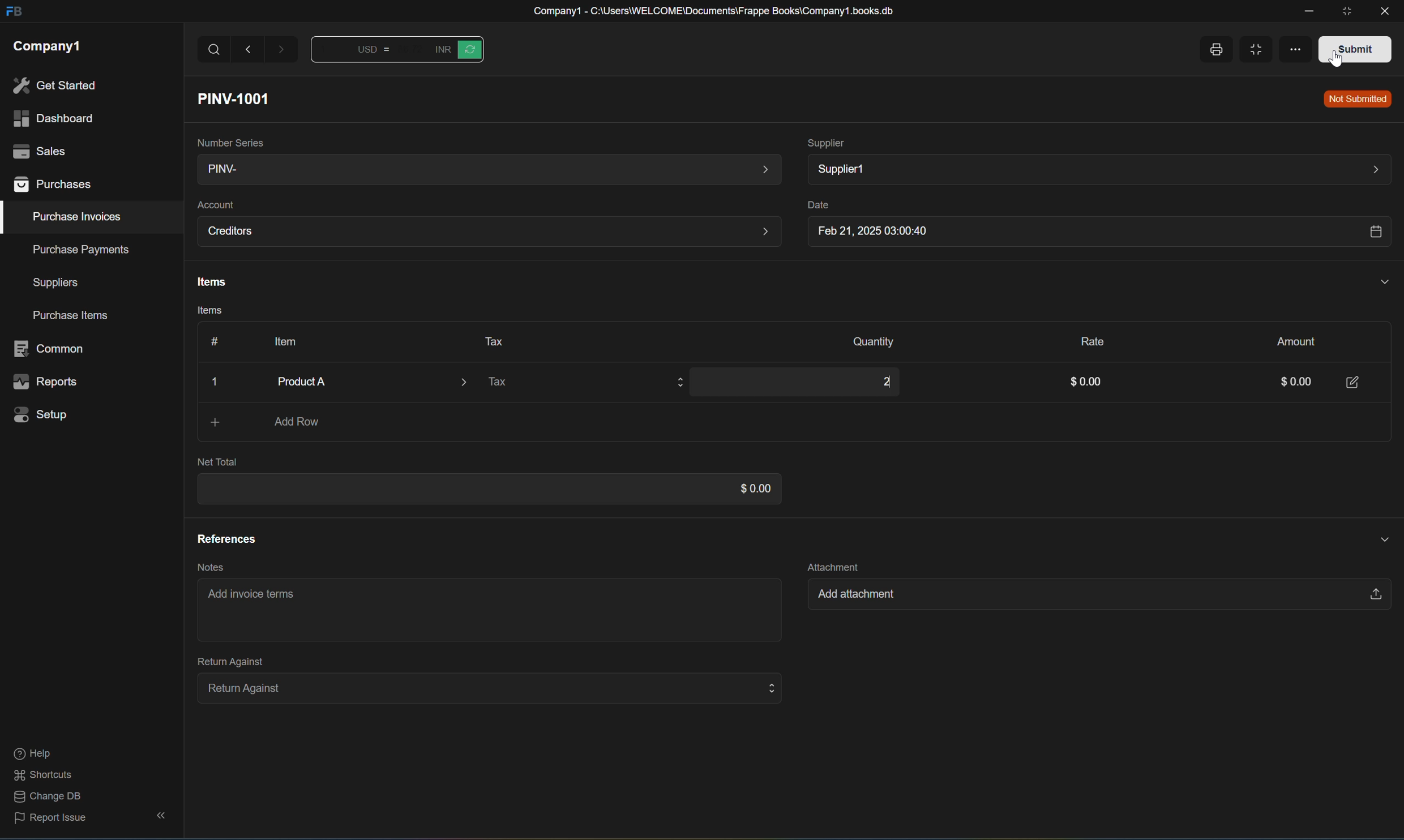  Describe the element at coordinates (1287, 383) in the screenshot. I see `0.00` at that location.